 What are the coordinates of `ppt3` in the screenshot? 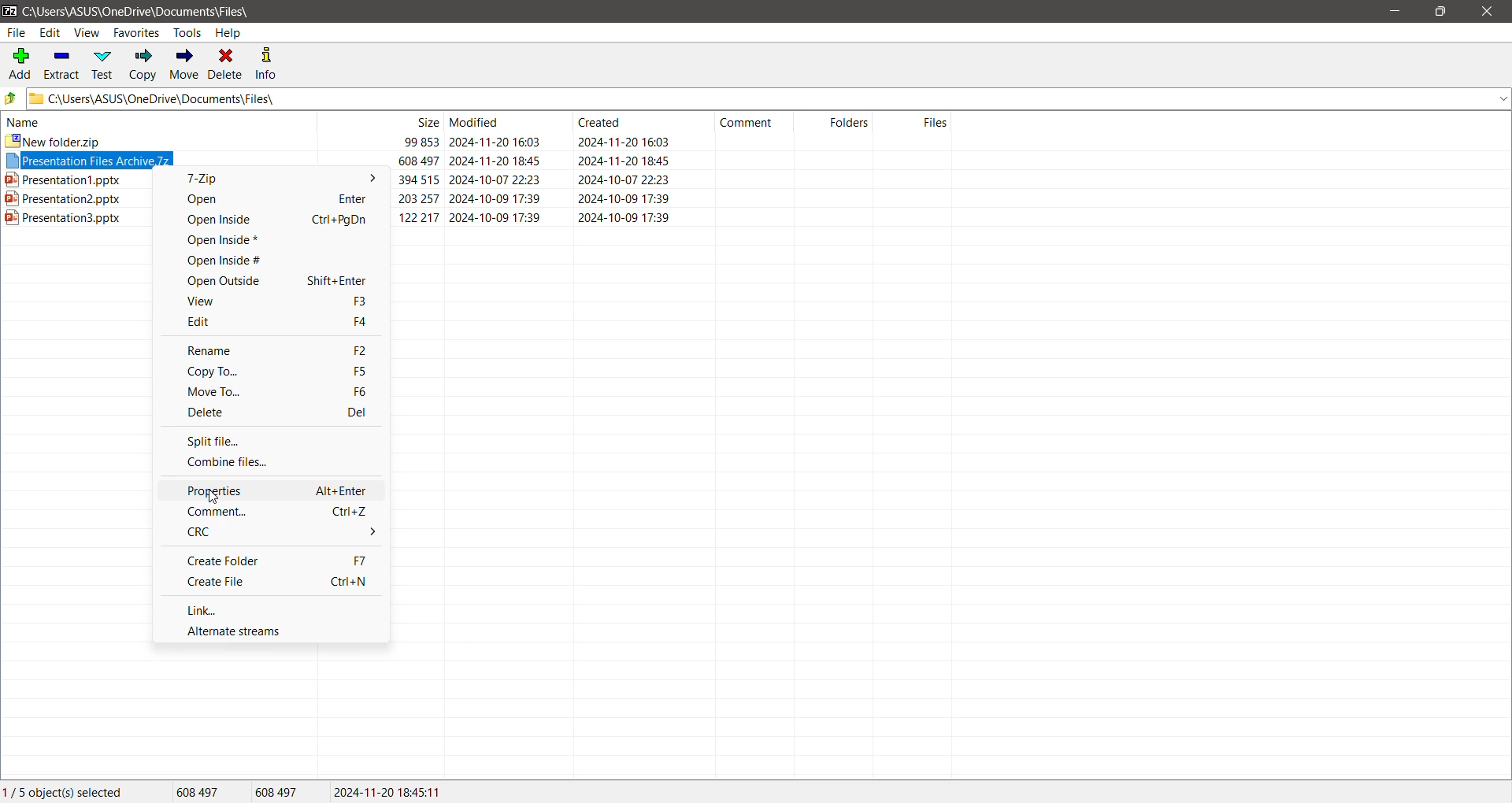 It's located at (72, 221).